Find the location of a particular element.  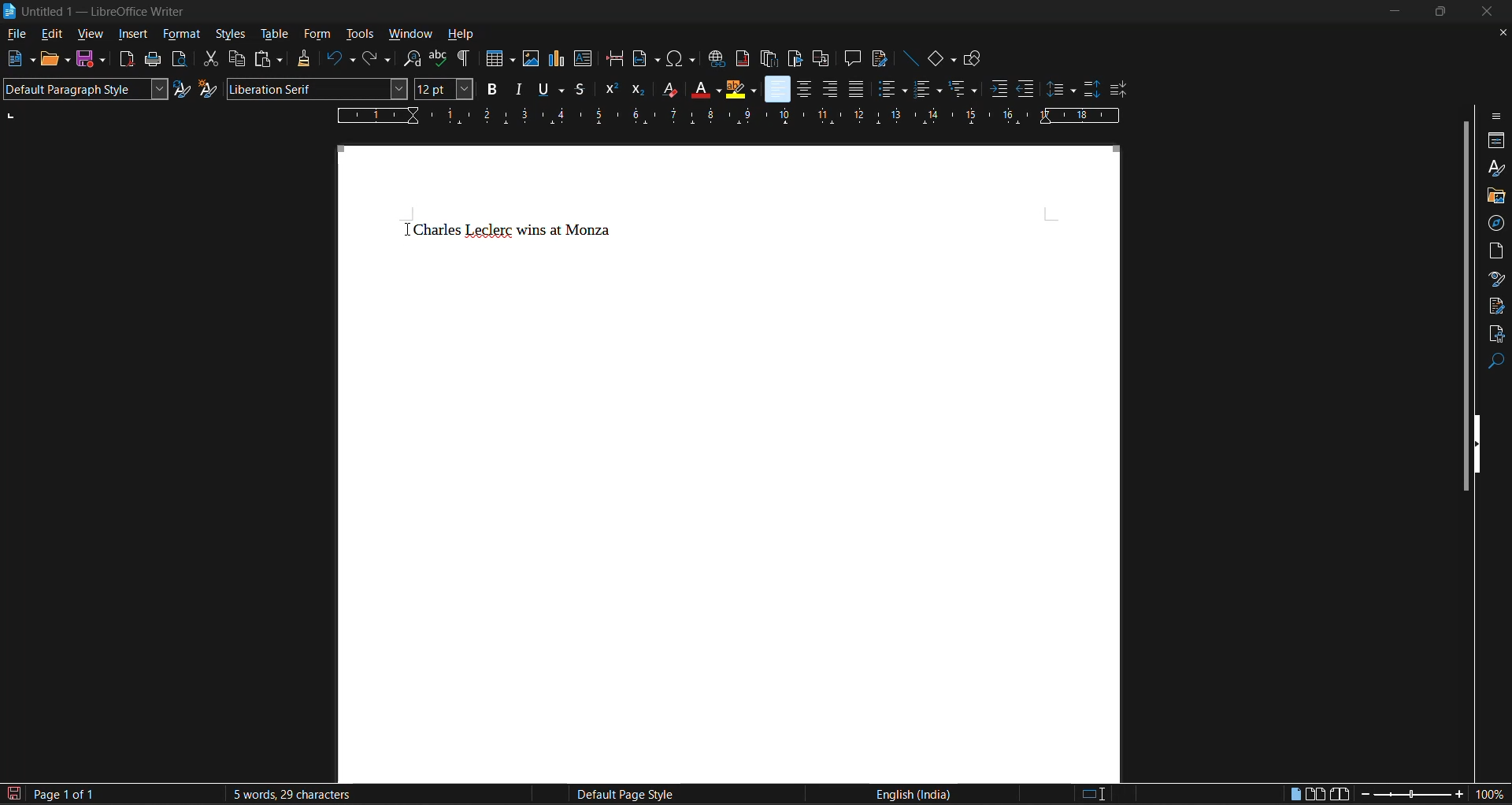

standard selection is located at coordinates (1093, 796).